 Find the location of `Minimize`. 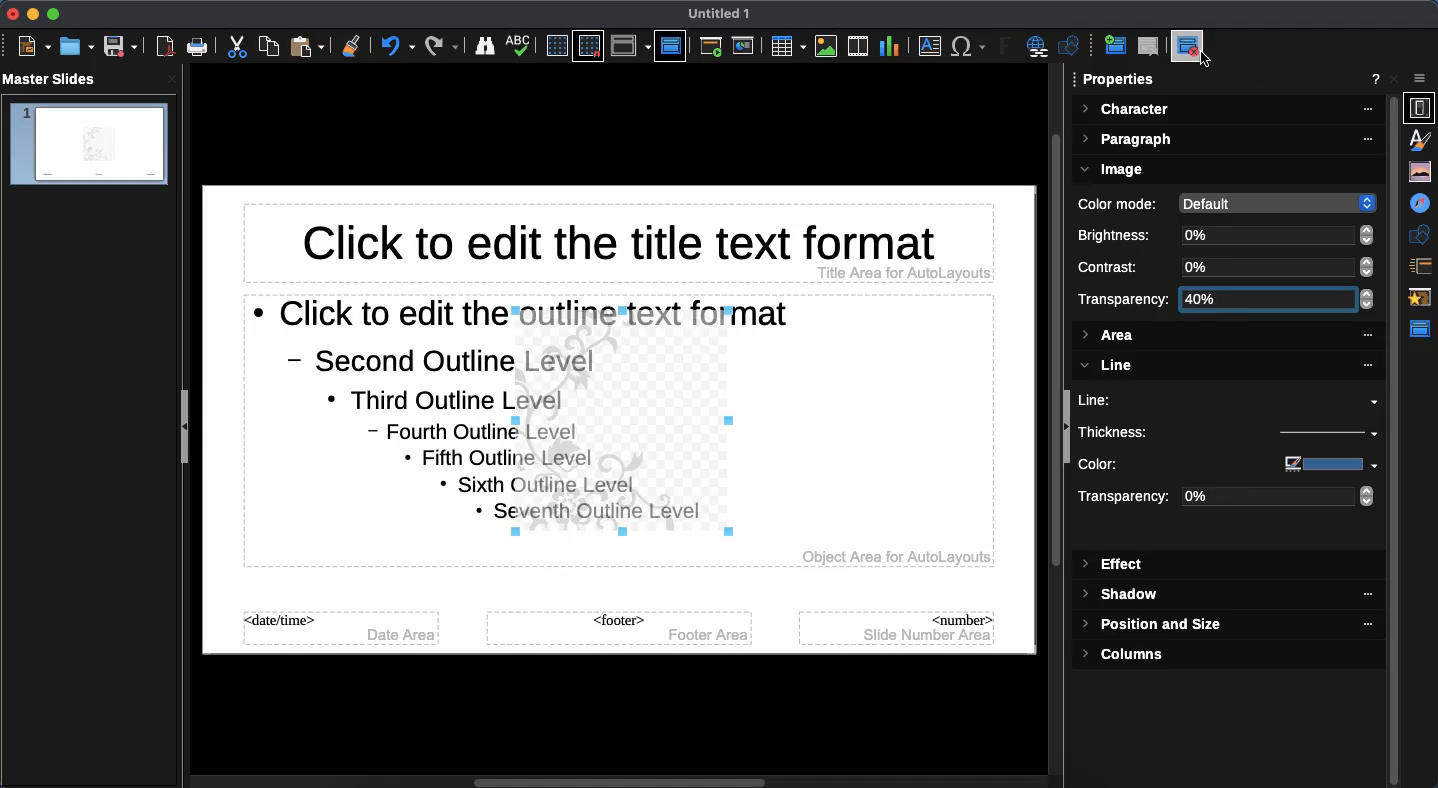

Minimize is located at coordinates (30, 14).